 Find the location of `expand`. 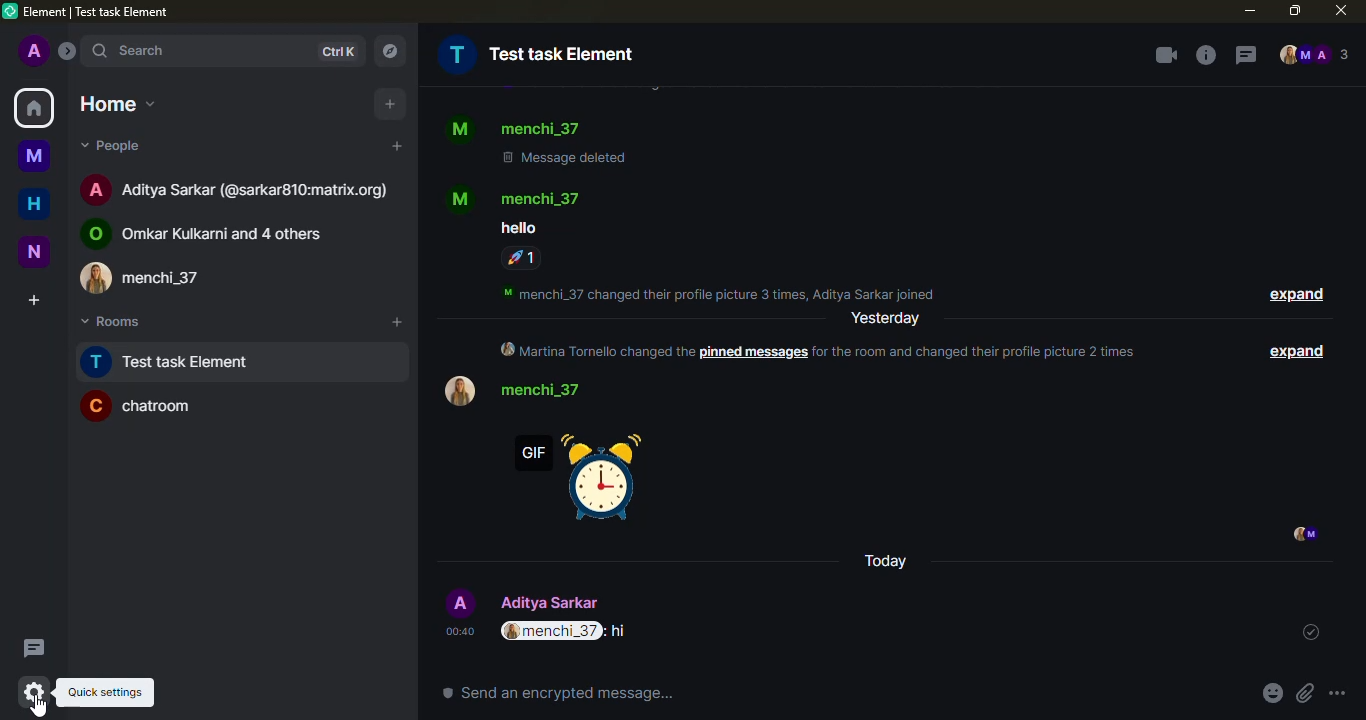

expand is located at coordinates (1292, 350).